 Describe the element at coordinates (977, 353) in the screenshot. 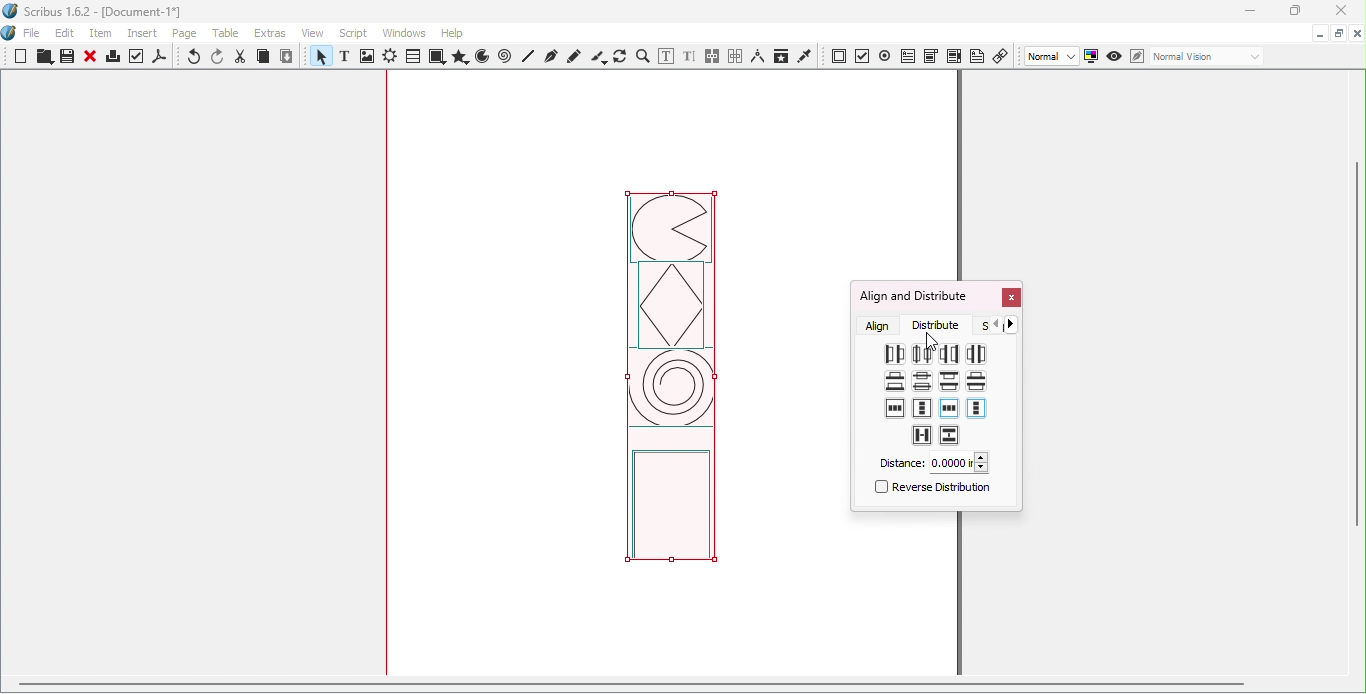

I see `Make horizontal gaps between items equal` at that location.